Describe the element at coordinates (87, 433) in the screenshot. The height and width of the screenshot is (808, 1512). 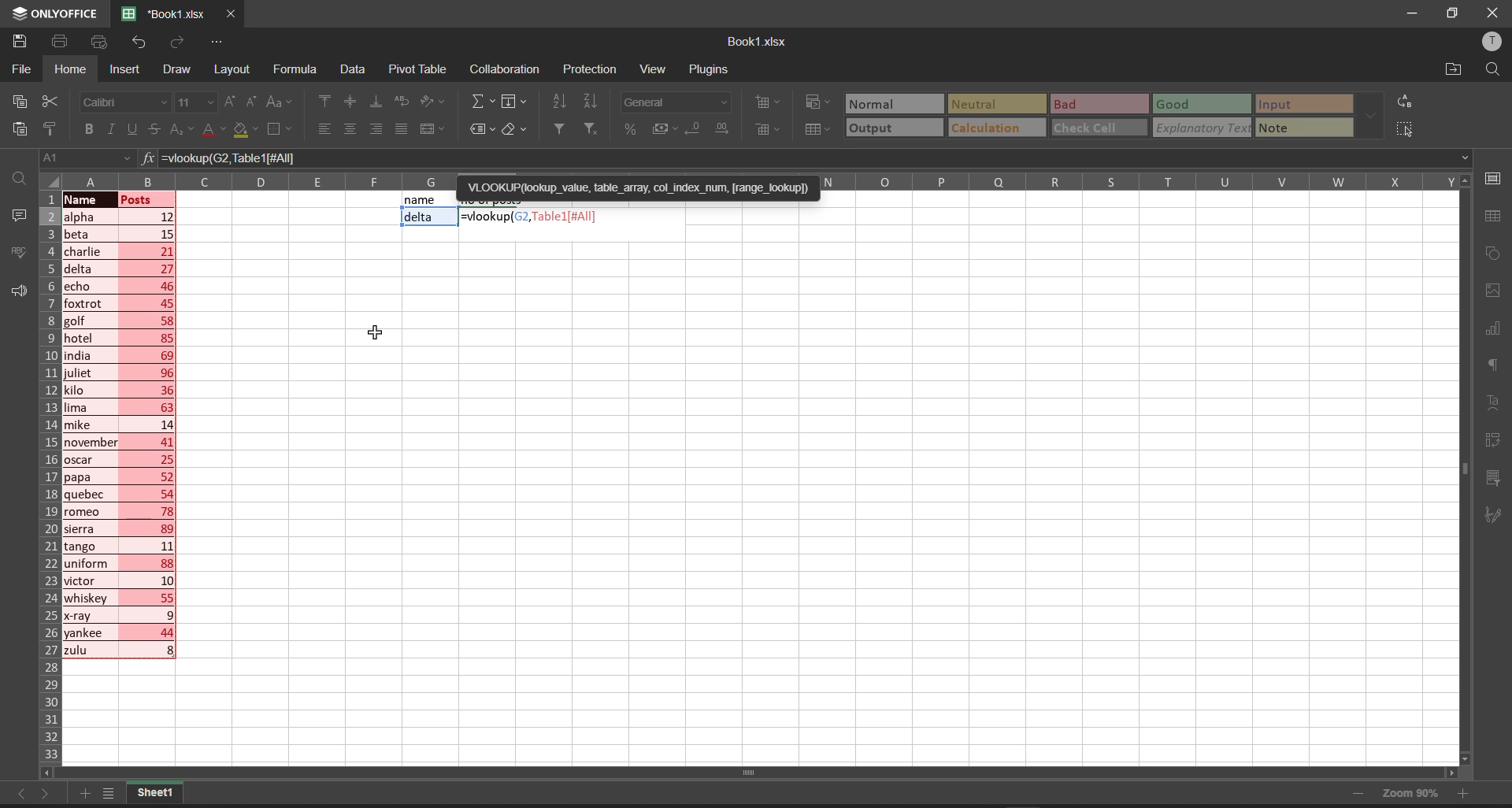
I see `names` at that location.